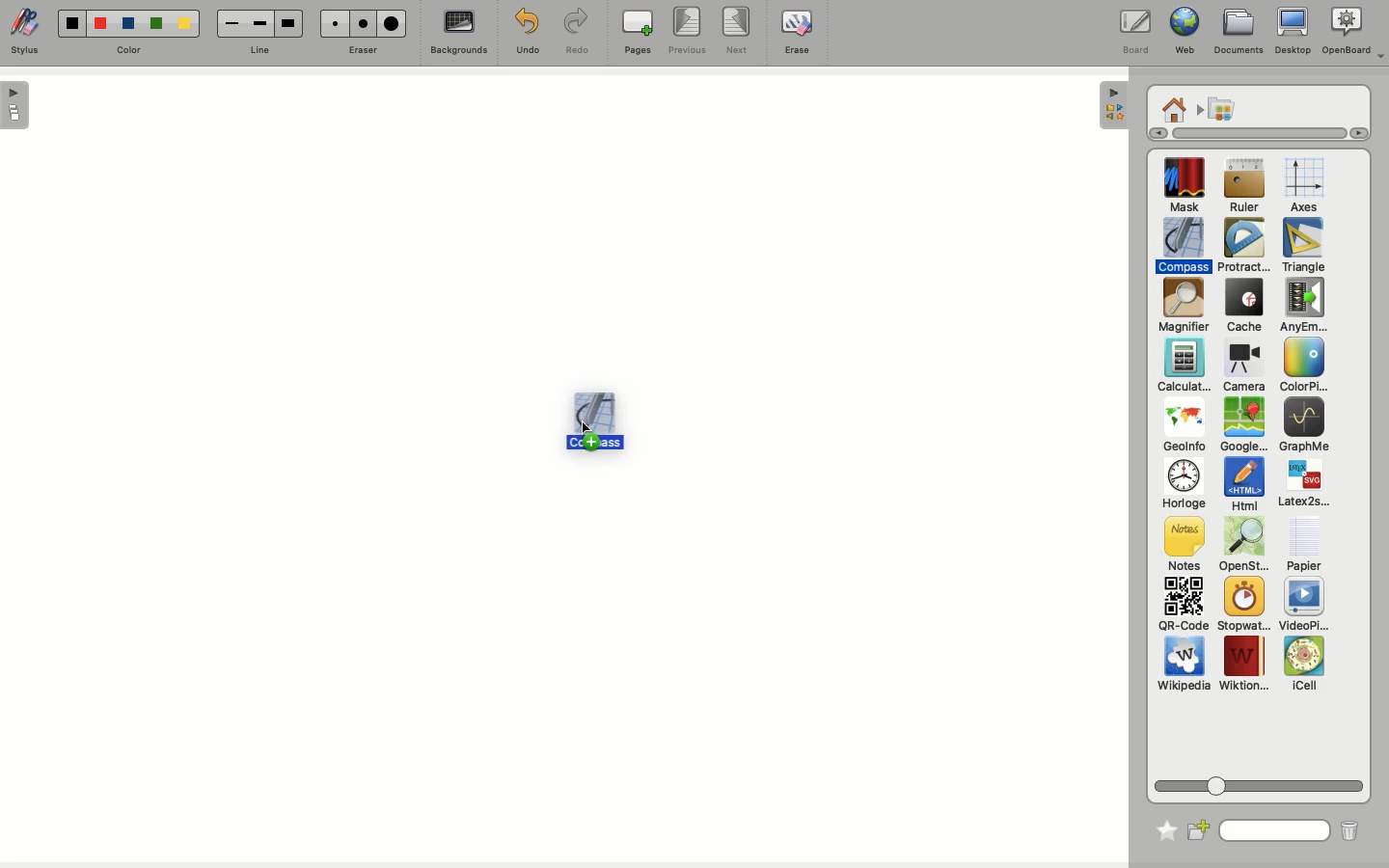 The width and height of the screenshot is (1389, 868). What do you see at coordinates (687, 32) in the screenshot?
I see `Previous` at bounding box center [687, 32].